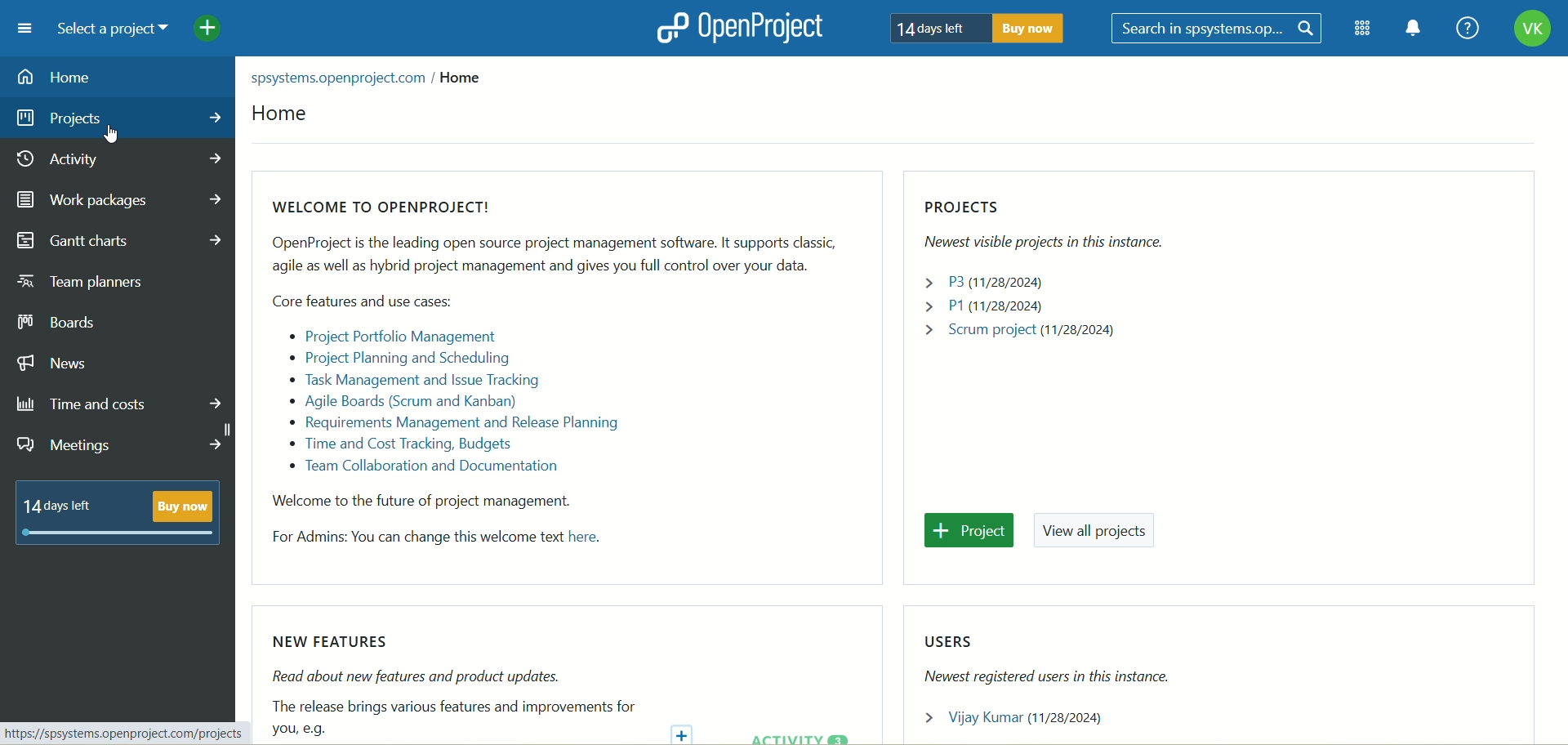 This screenshot has height=745, width=1568. What do you see at coordinates (452, 545) in the screenshot?
I see `For Admins: You can change this welcome text here.` at bounding box center [452, 545].